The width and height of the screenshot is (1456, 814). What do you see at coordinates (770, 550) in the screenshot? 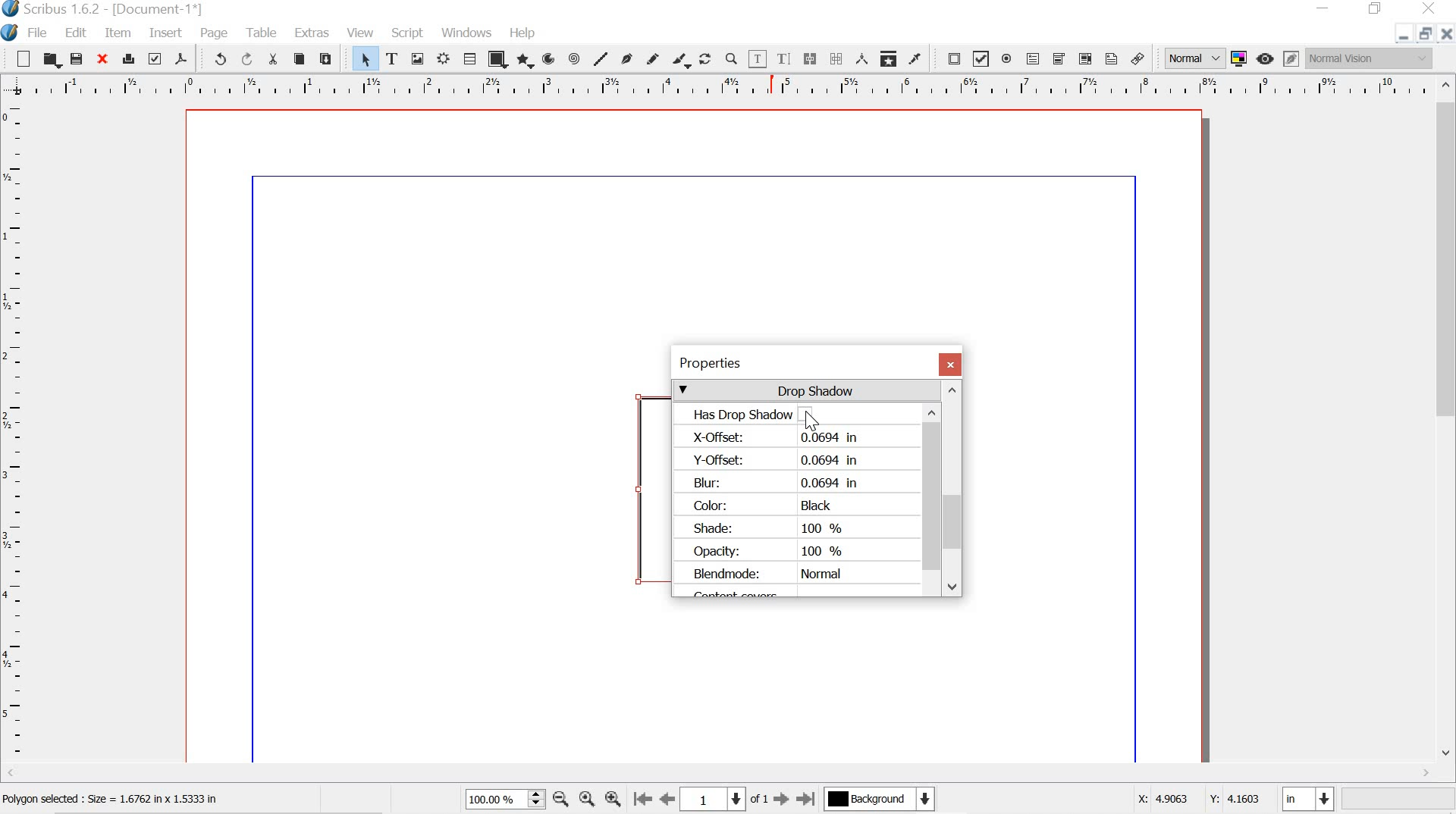
I see `Opacity: 100 %` at bounding box center [770, 550].